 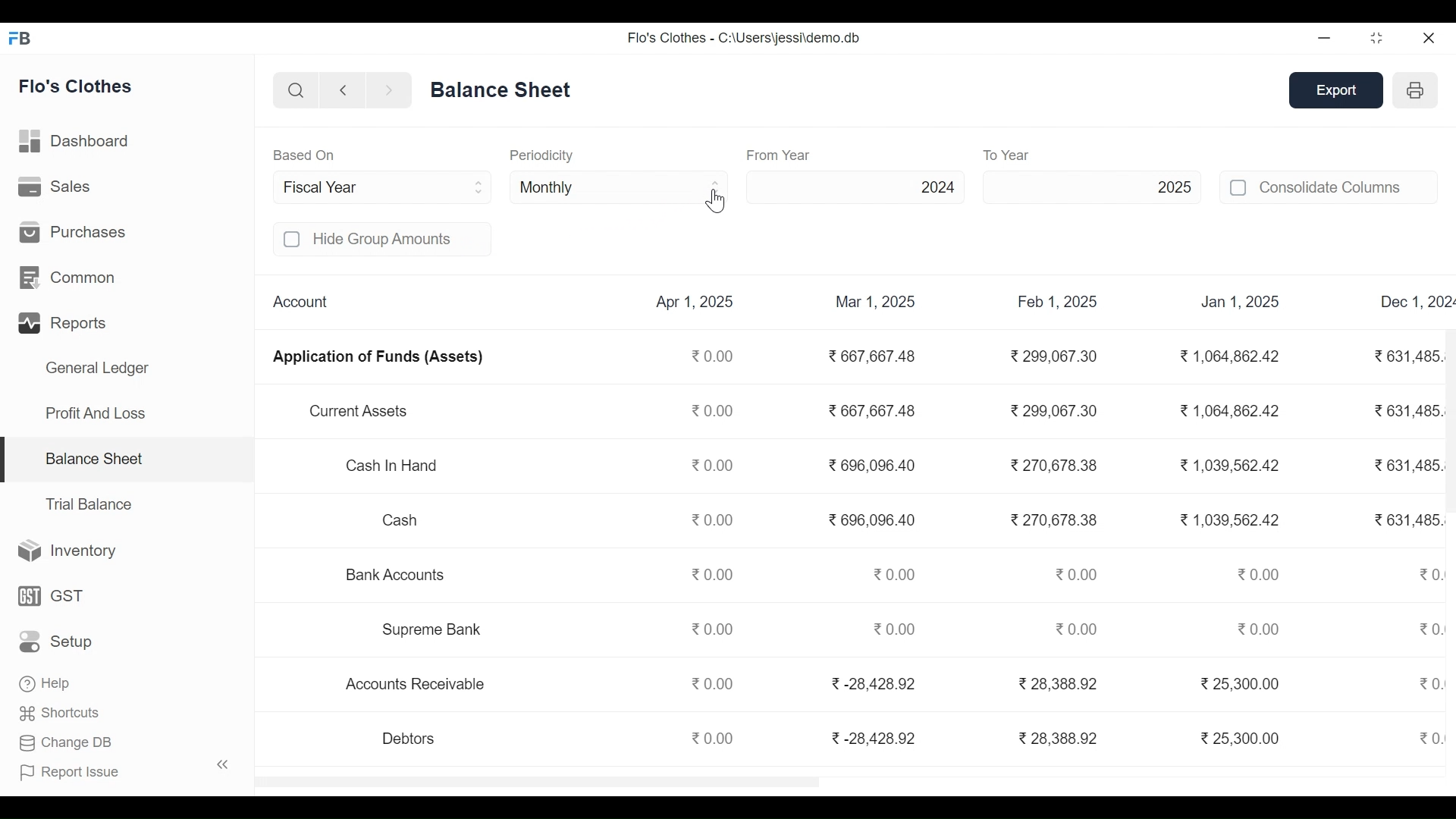 What do you see at coordinates (1449, 419) in the screenshot?
I see `scrollbar` at bounding box center [1449, 419].